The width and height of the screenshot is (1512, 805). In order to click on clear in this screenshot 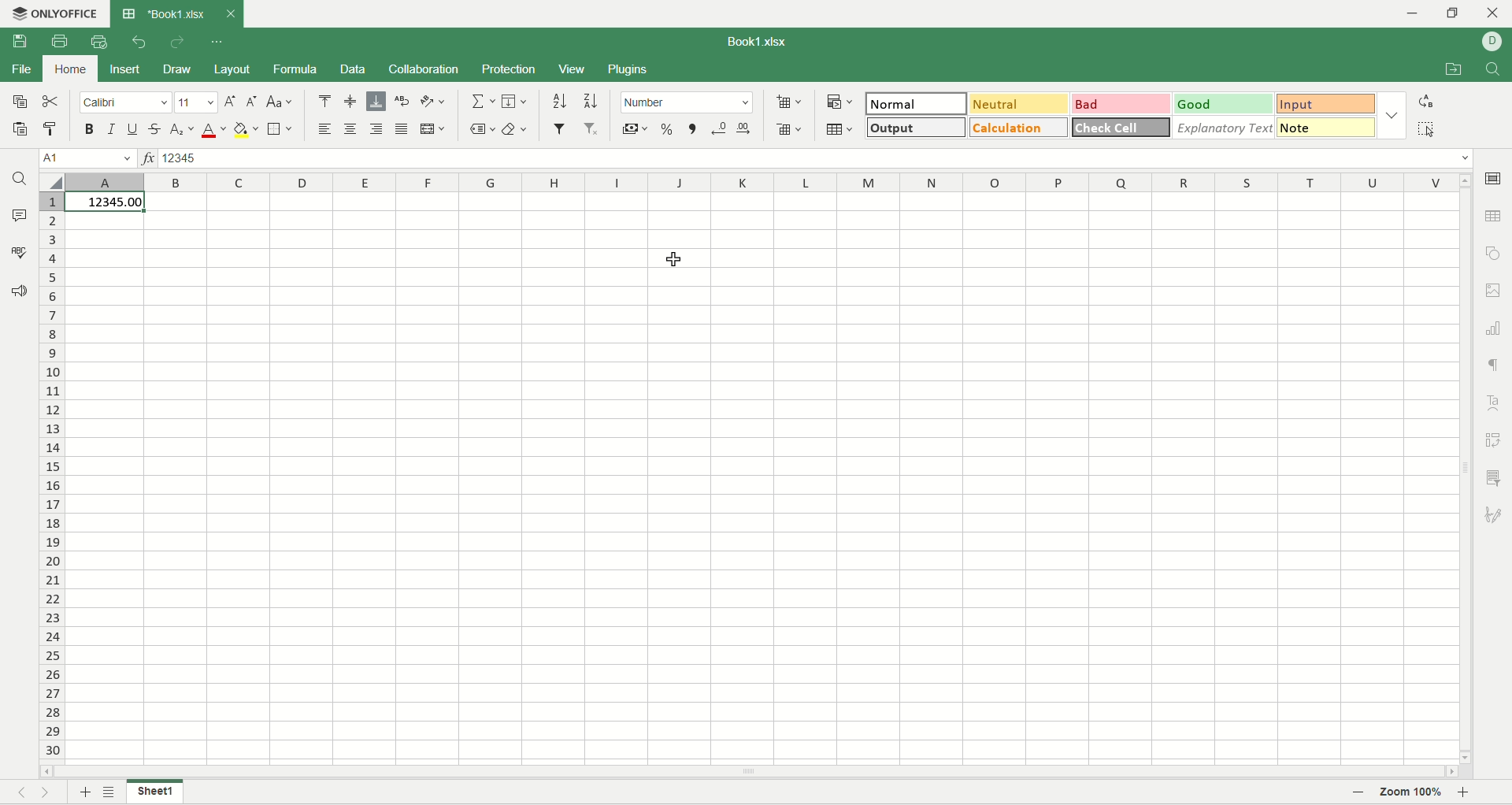, I will do `click(517, 130)`.